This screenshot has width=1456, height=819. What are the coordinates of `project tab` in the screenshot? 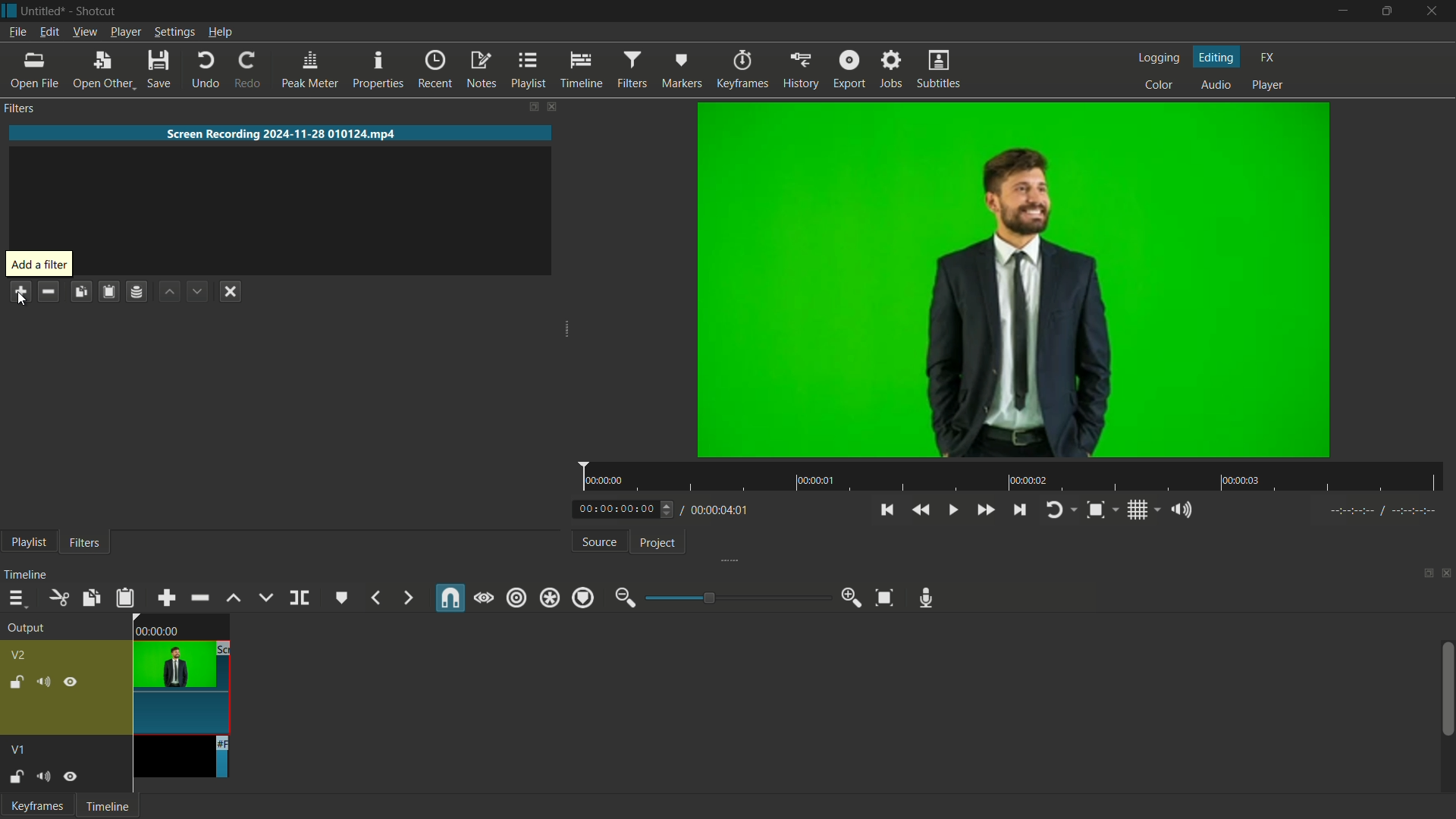 It's located at (658, 544).